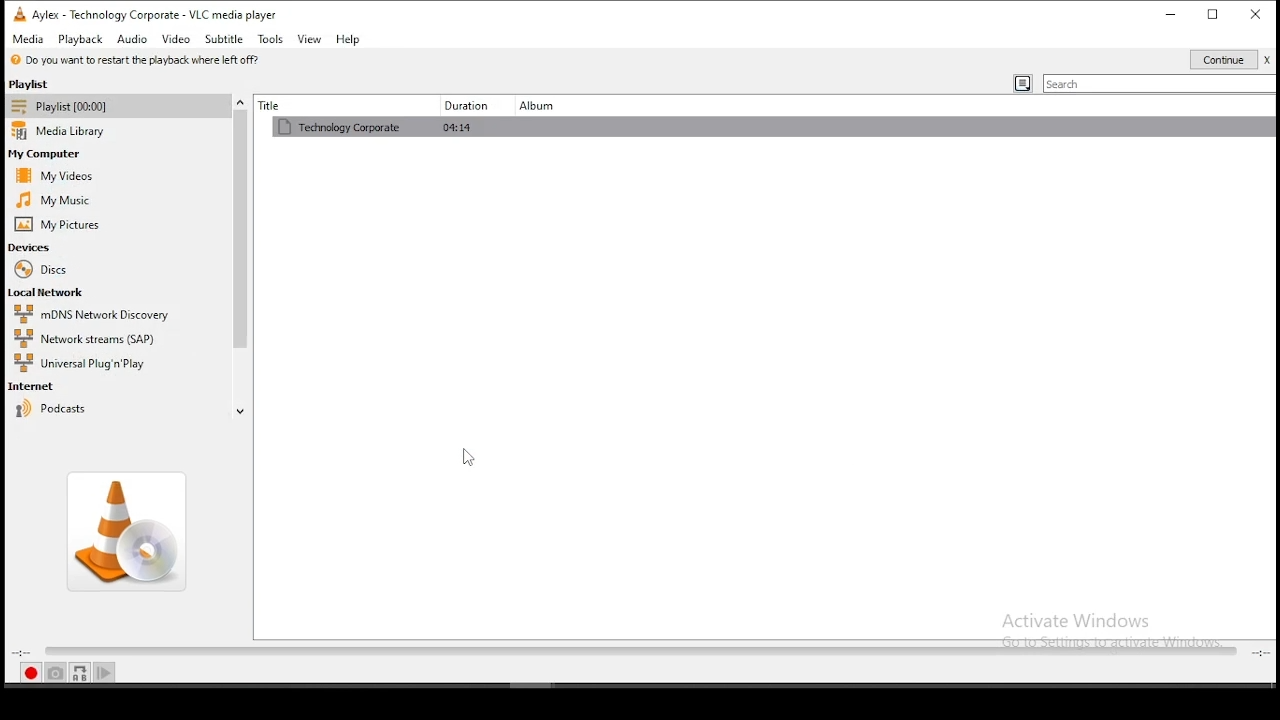 This screenshot has height=720, width=1280. I want to click on technology corporate, so click(716, 129).